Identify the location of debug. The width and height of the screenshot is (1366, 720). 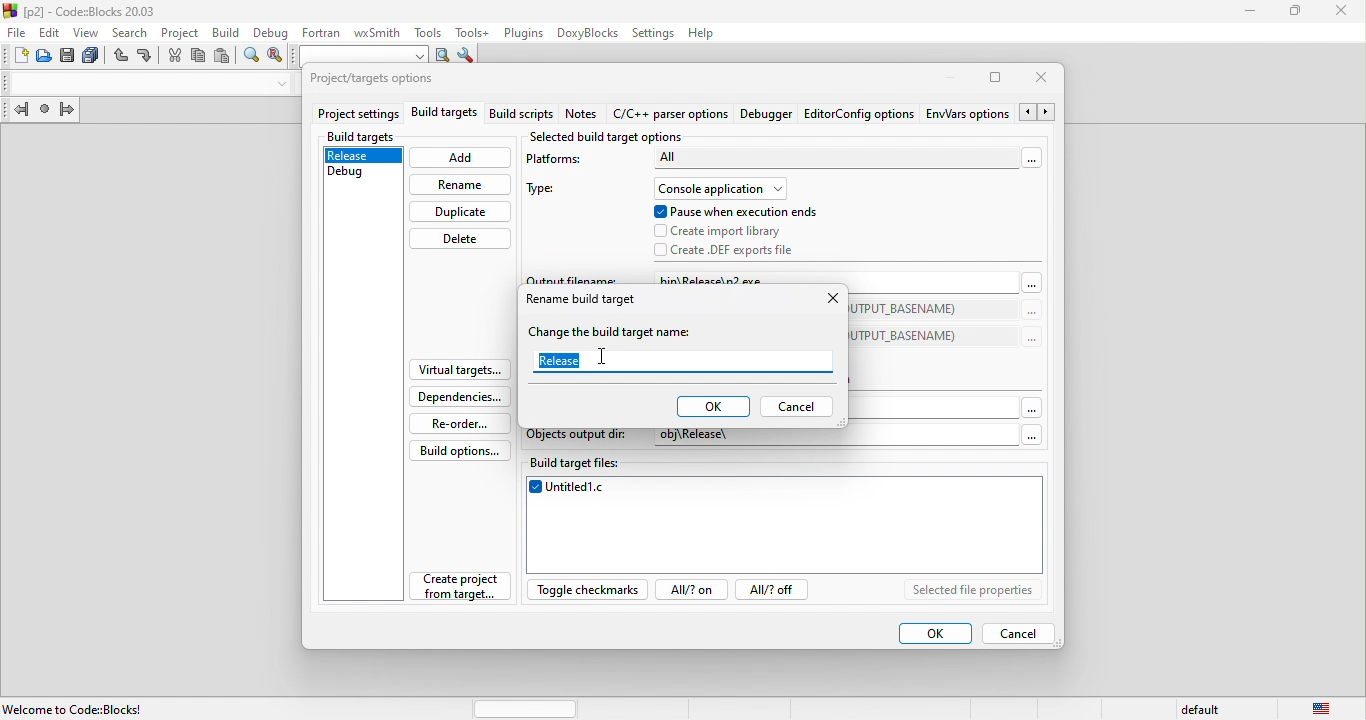
(362, 176).